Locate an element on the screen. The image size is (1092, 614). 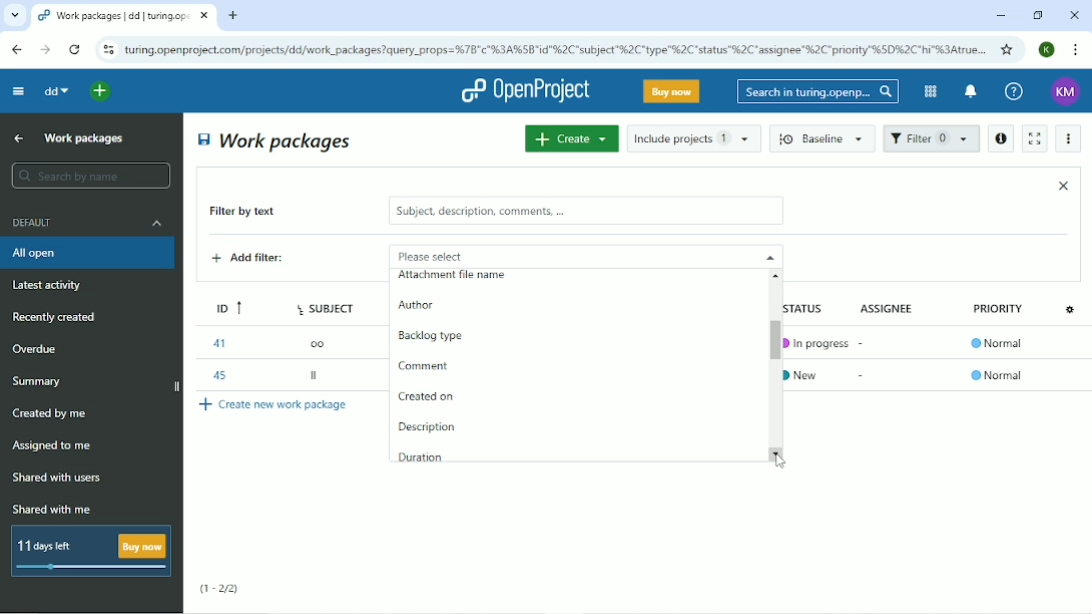
Created on is located at coordinates (427, 397).